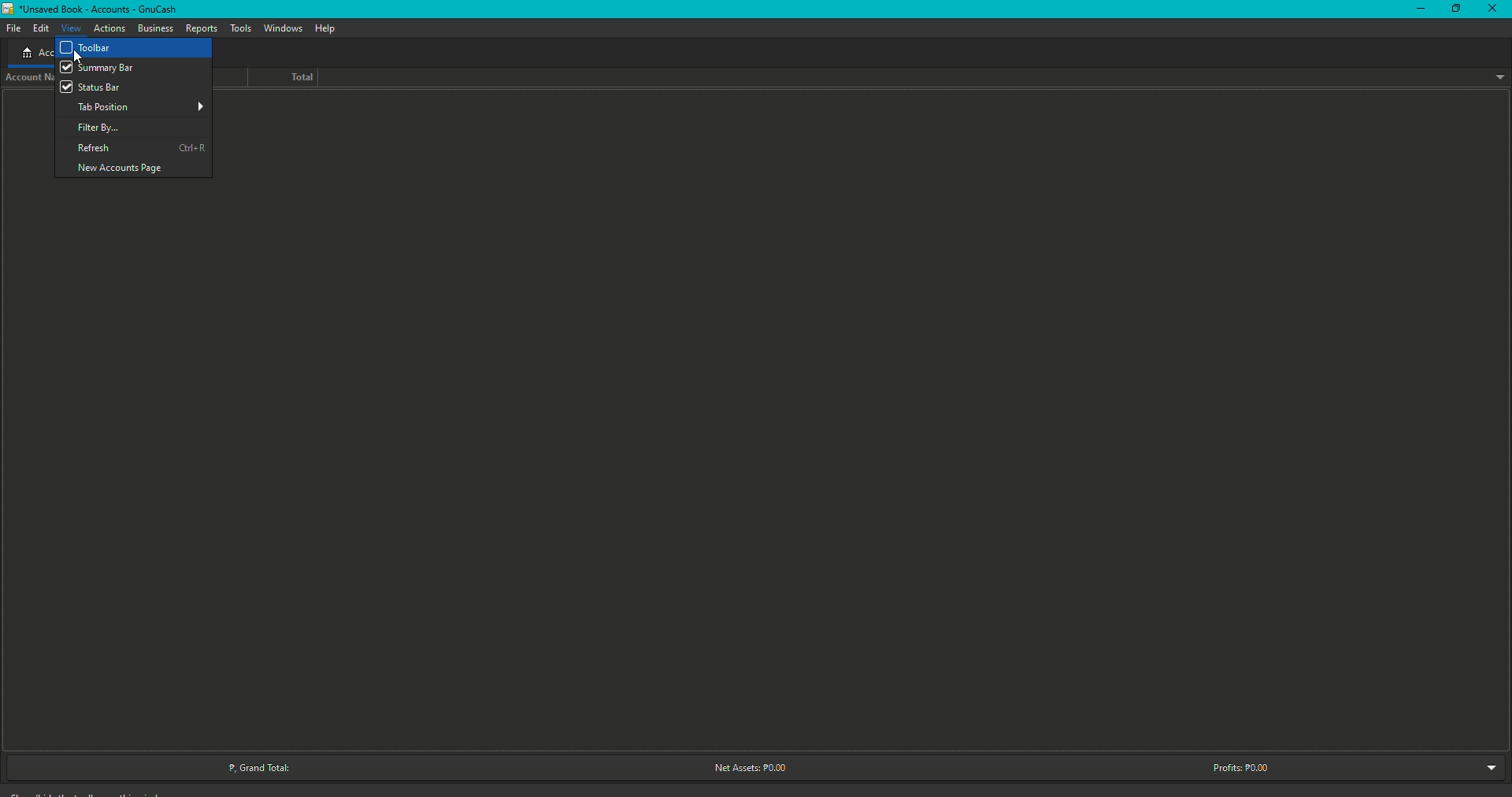  I want to click on Windows, so click(283, 28).